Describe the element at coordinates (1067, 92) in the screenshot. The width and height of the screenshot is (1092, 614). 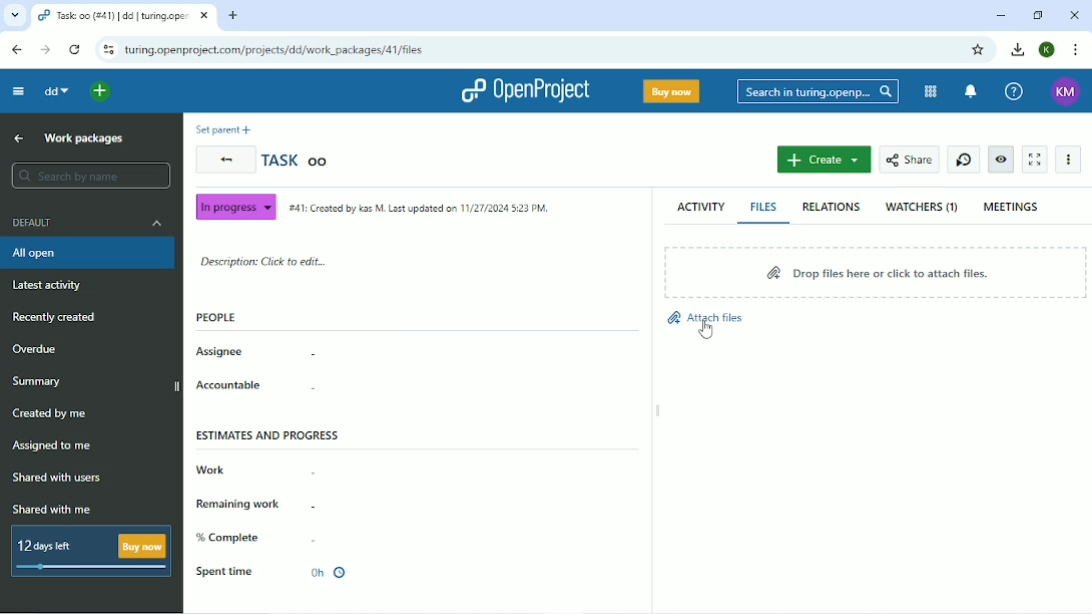
I see `KM` at that location.